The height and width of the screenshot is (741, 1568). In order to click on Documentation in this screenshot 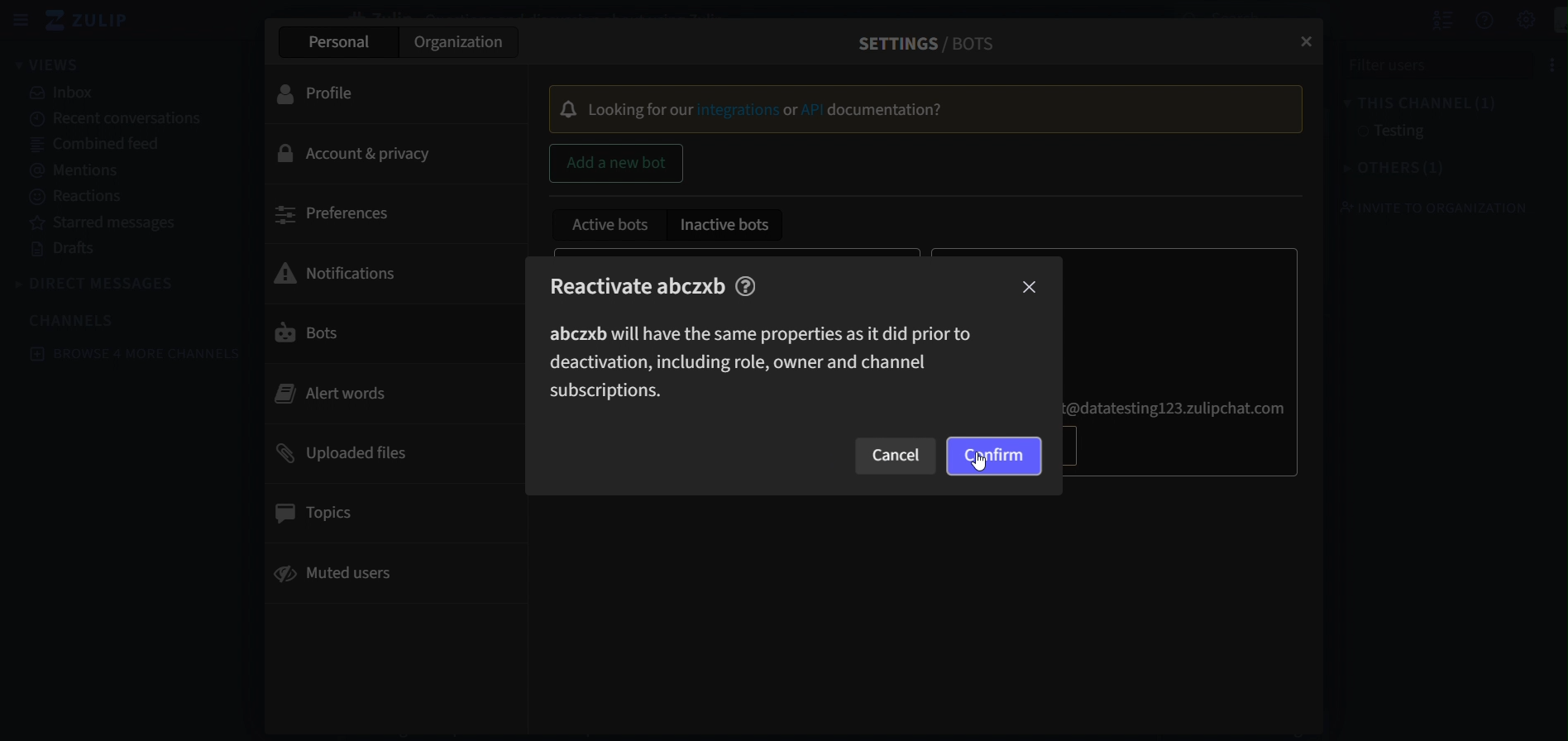, I will do `click(885, 110)`.